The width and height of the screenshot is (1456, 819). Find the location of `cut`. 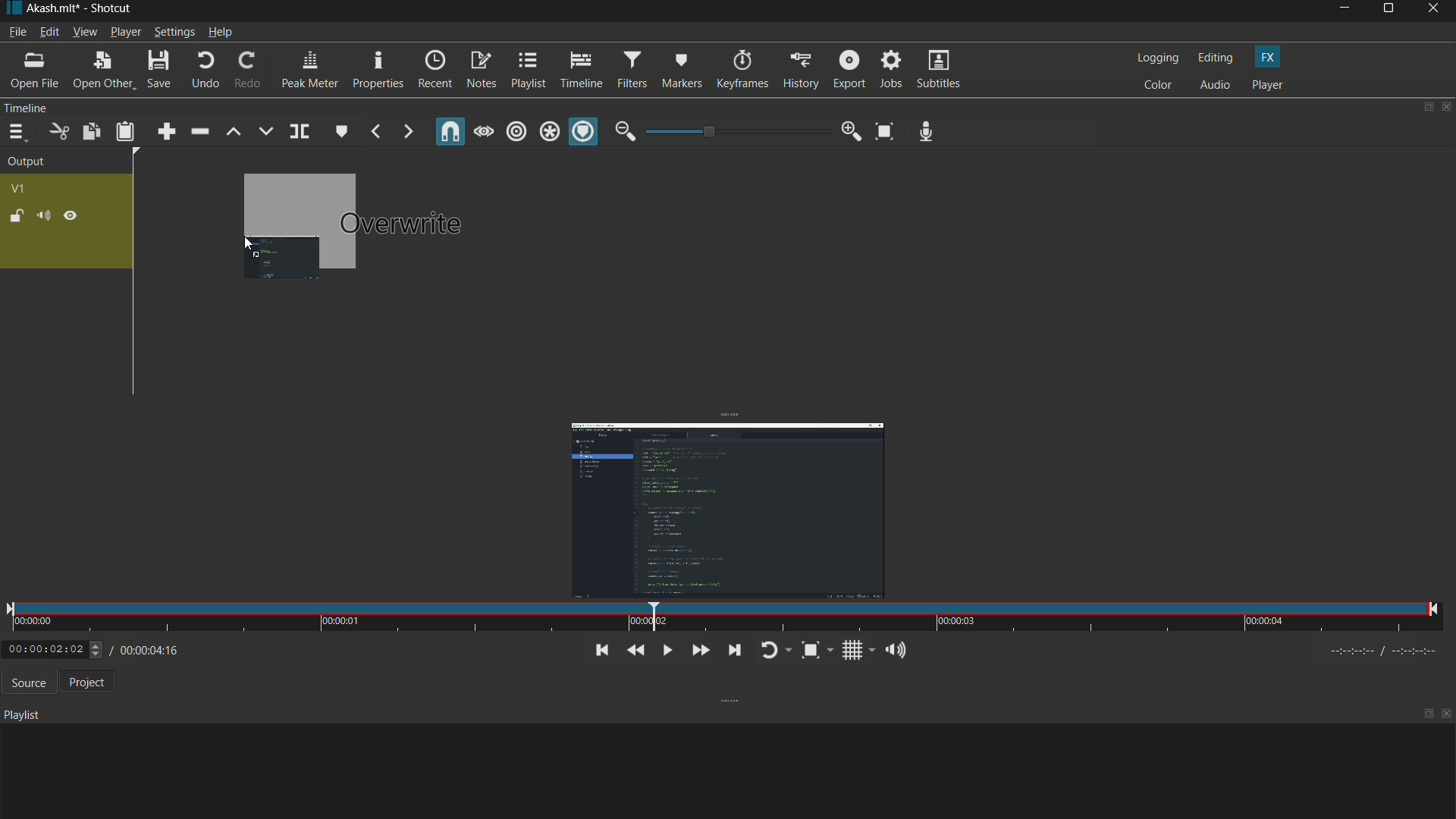

cut is located at coordinates (57, 132).